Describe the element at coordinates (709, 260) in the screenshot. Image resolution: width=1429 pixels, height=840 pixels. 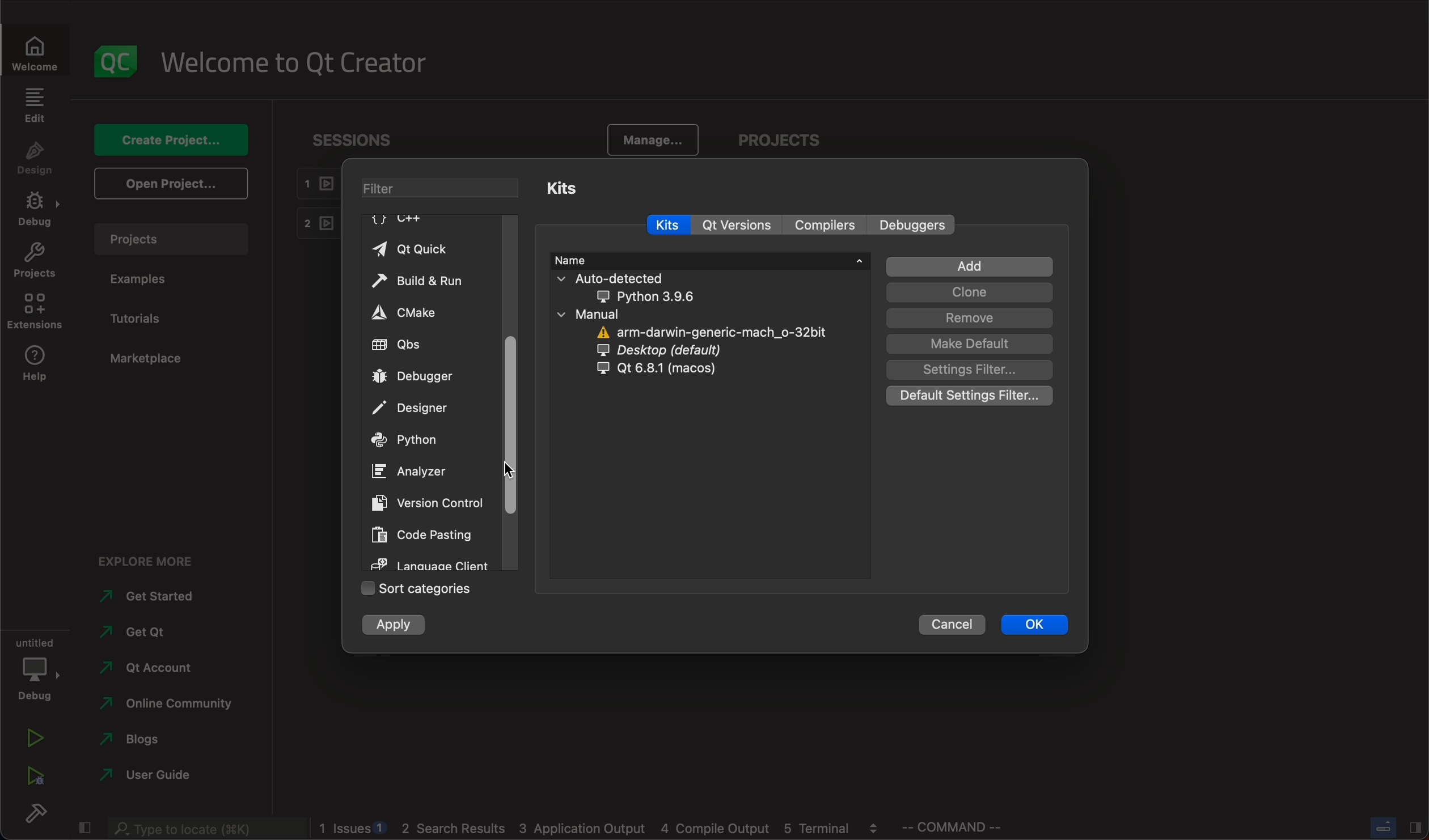
I see `name` at that location.